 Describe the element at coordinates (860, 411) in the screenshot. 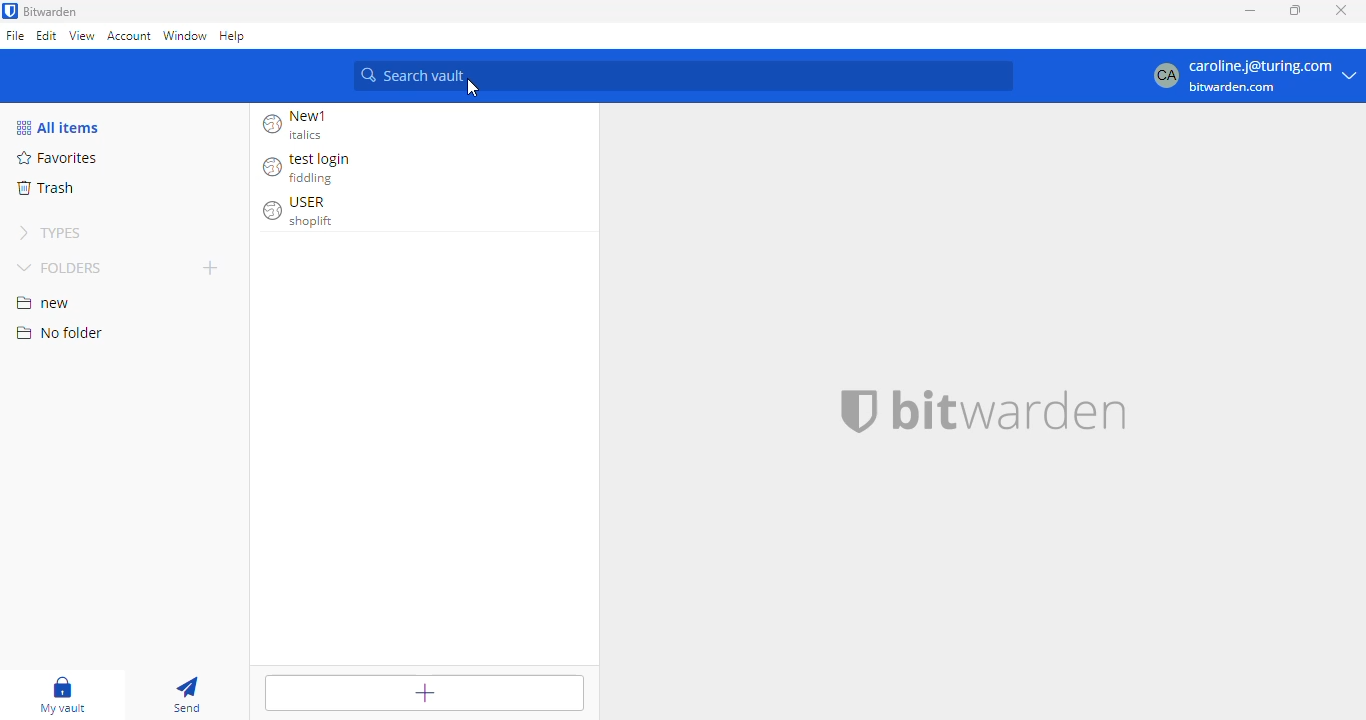

I see `logo` at that location.